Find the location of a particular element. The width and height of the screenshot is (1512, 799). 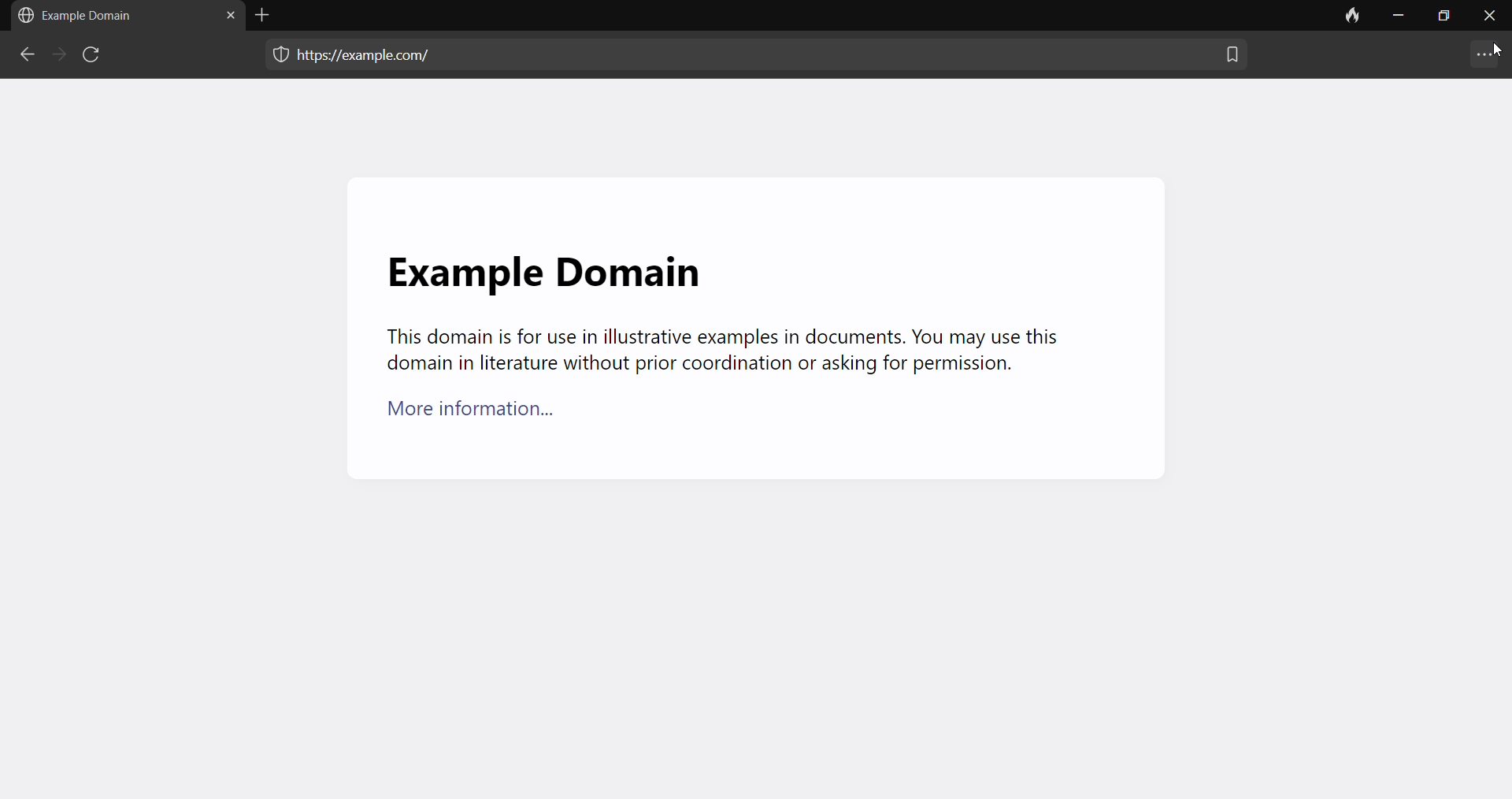

close tab is located at coordinates (226, 18).